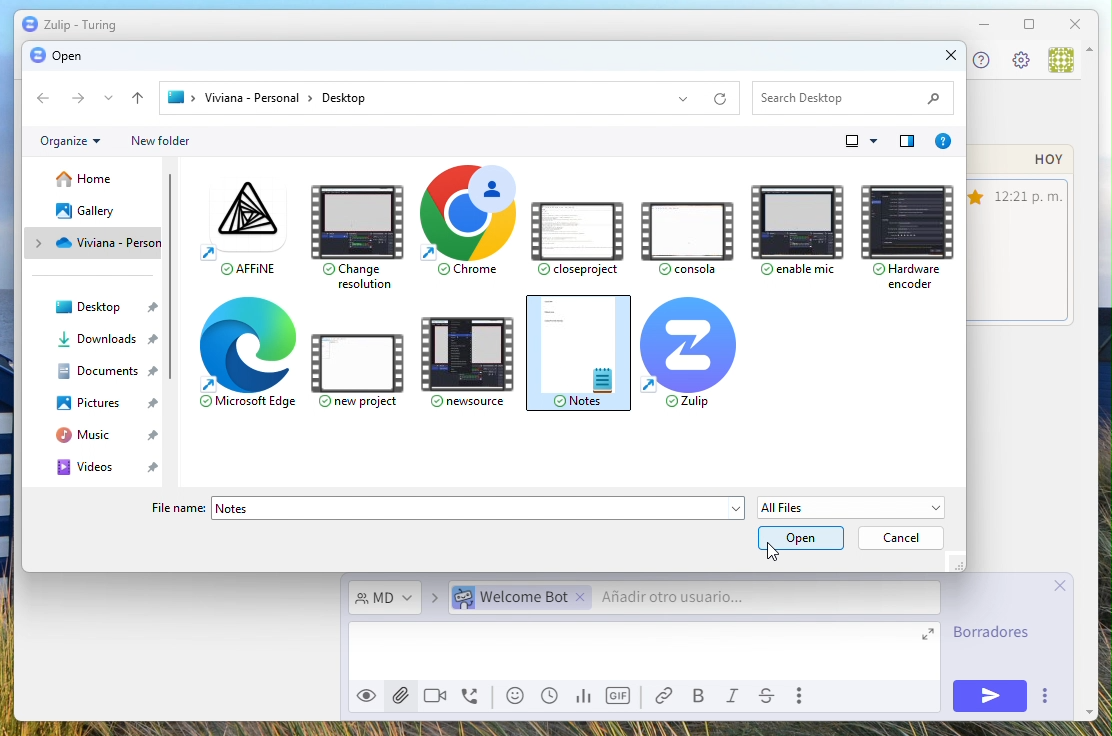 This screenshot has width=1112, height=736. I want to click on Cloud, so click(101, 242).